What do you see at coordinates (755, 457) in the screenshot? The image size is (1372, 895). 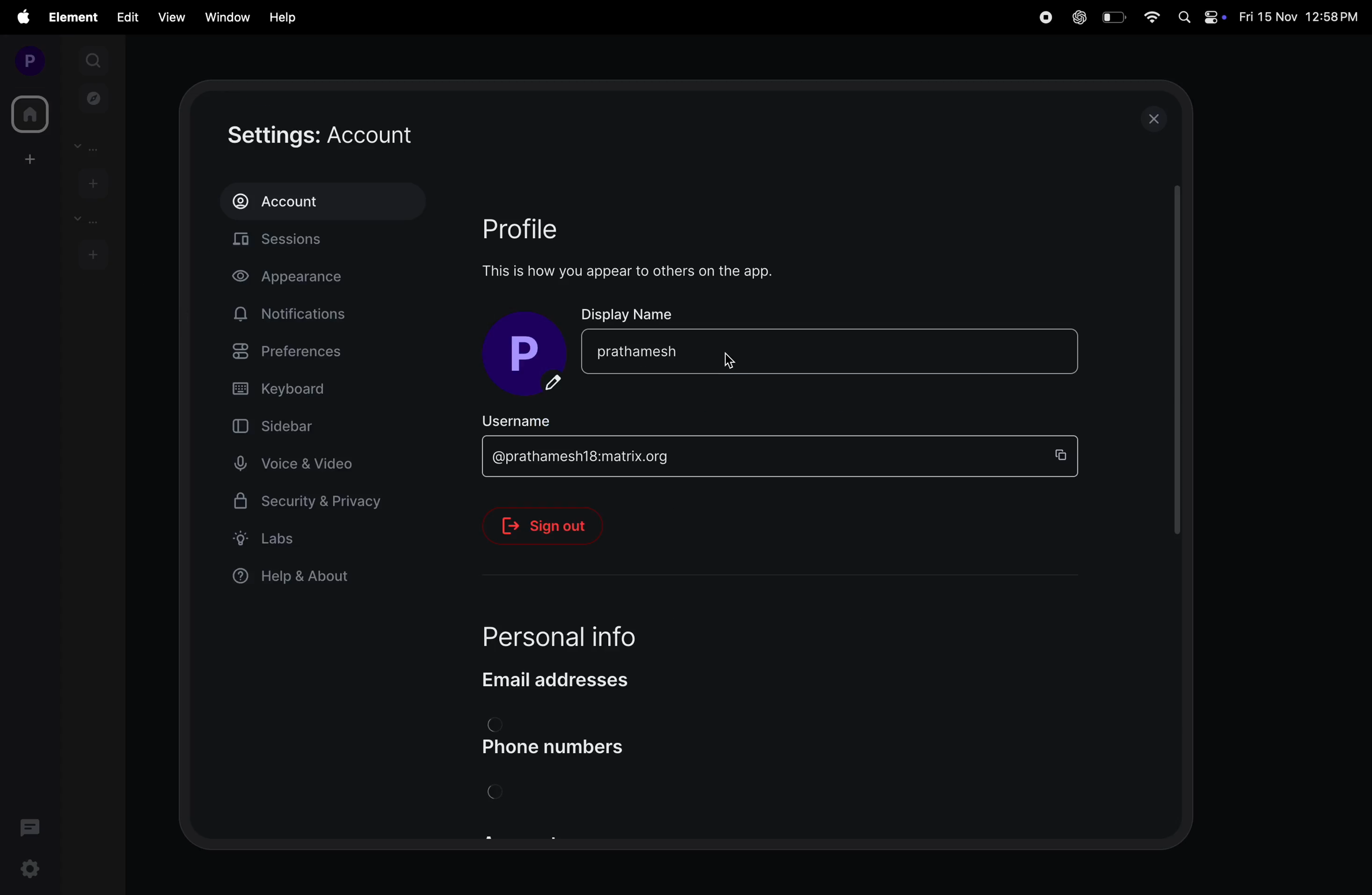 I see `matrix mail.id` at bounding box center [755, 457].